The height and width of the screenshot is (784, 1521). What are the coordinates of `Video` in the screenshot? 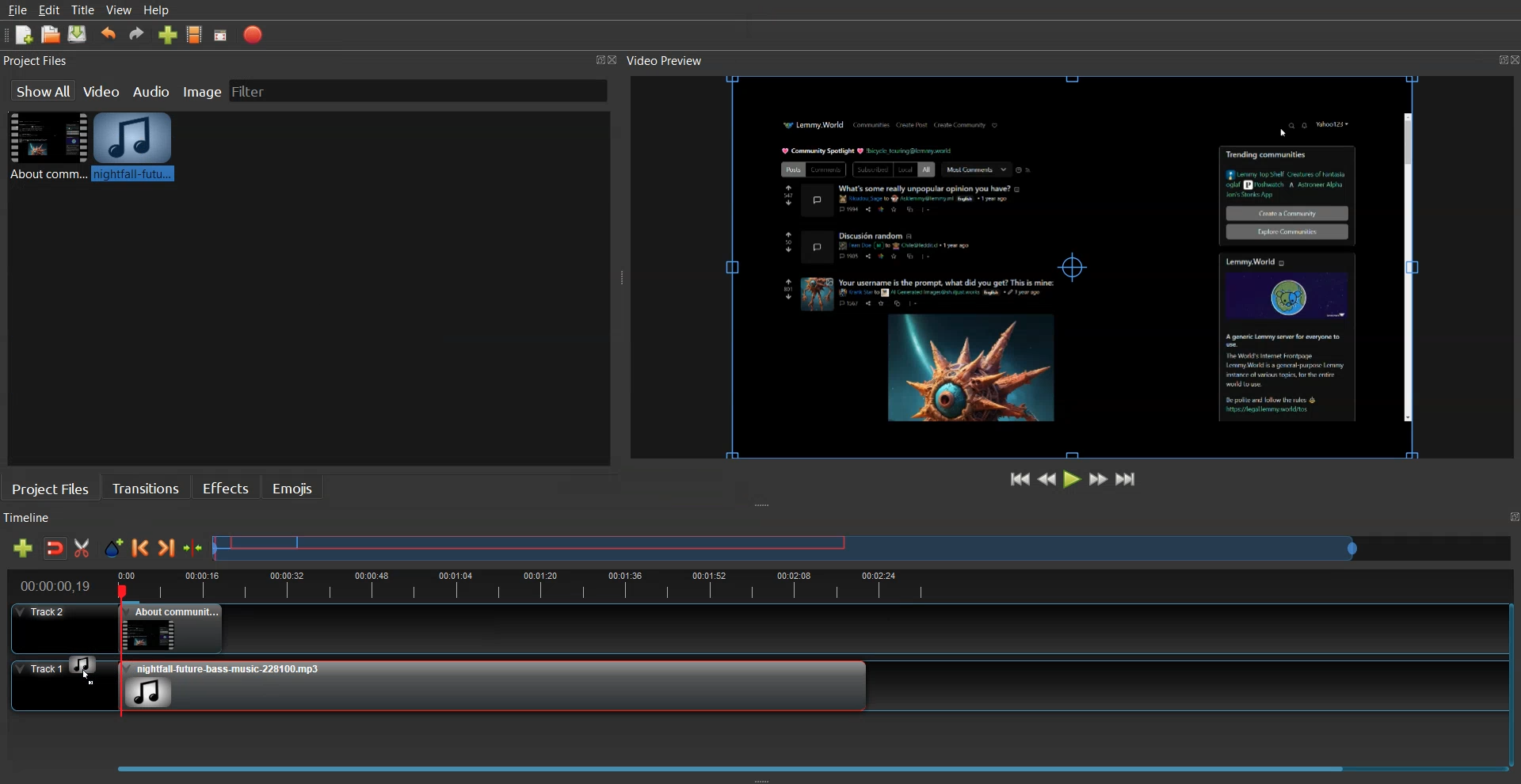 It's located at (103, 89).